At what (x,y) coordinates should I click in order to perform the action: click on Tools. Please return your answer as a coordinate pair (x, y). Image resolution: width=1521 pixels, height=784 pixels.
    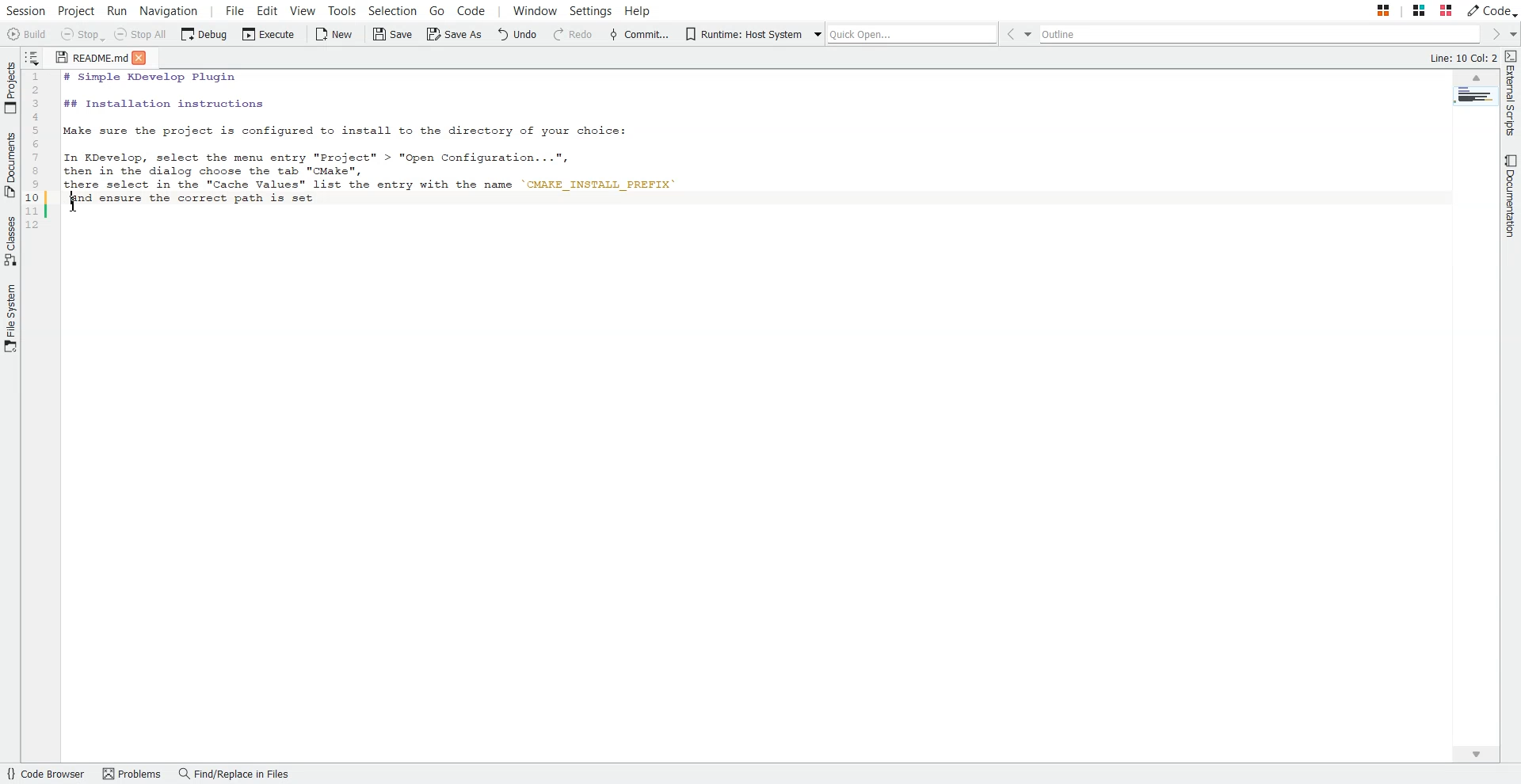
    Looking at the image, I should click on (343, 10).